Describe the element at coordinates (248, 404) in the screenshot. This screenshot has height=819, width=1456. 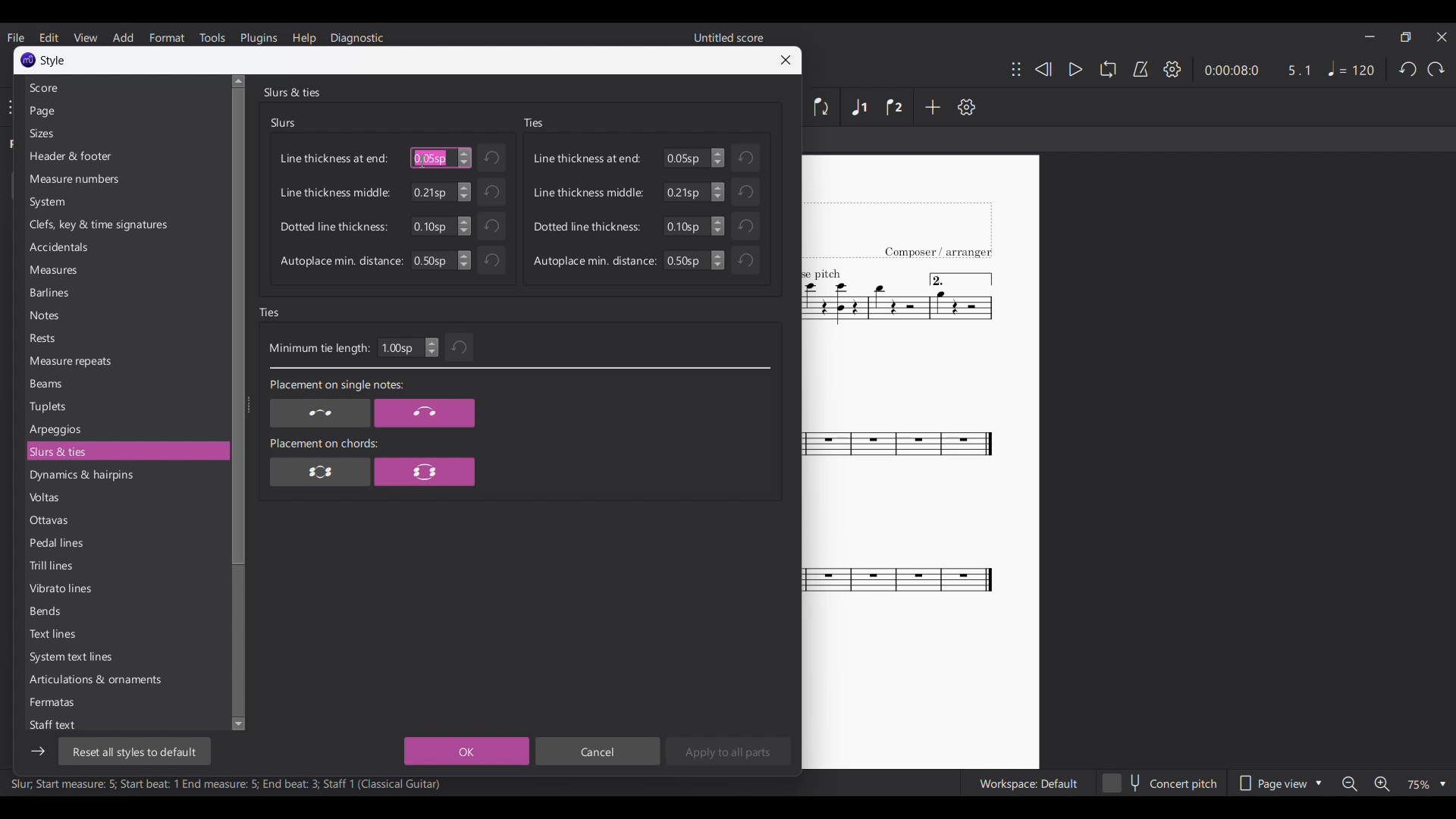
I see `Change width of side panel` at that location.